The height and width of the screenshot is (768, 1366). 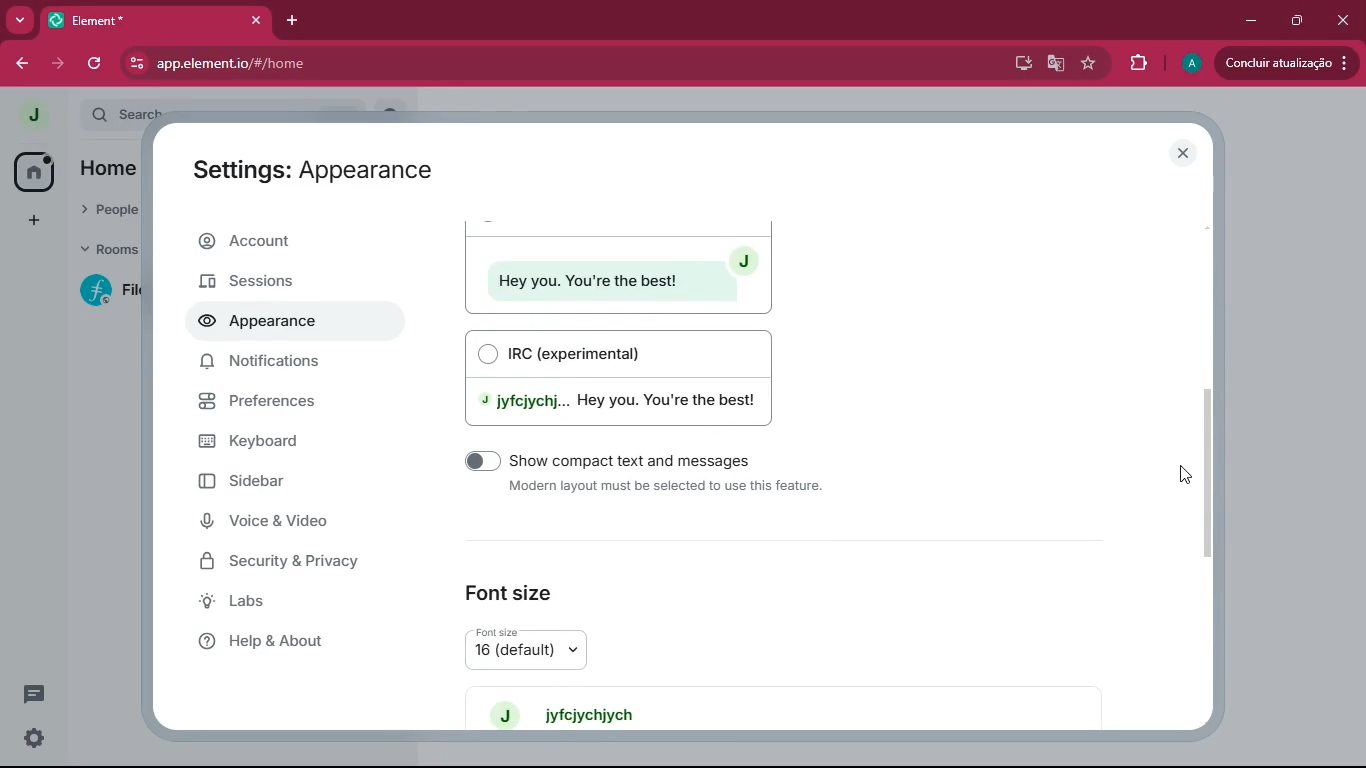 What do you see at coordinates (1138, 61) in the screenshot?
I see `extensions` at bounding box center [1138, 61].